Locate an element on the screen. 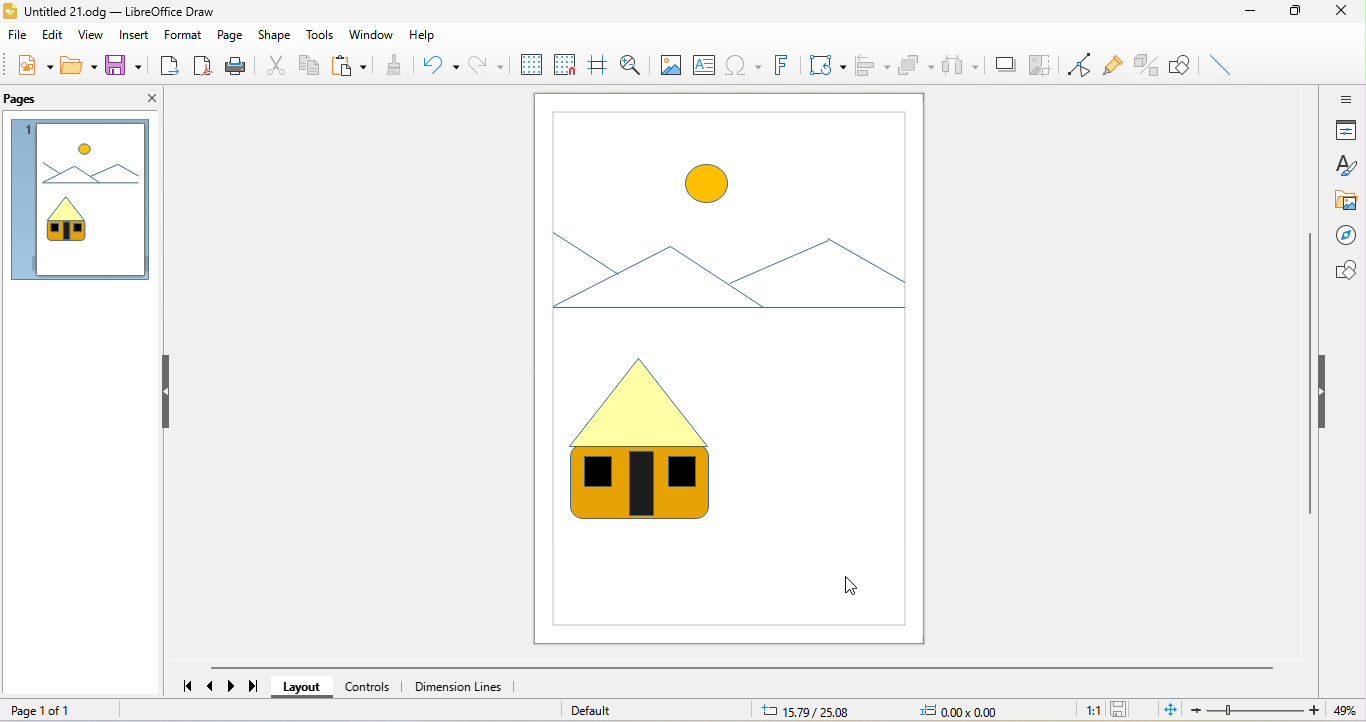 The image size is (1366, 722). textbox is located at coordinates (707, 66).